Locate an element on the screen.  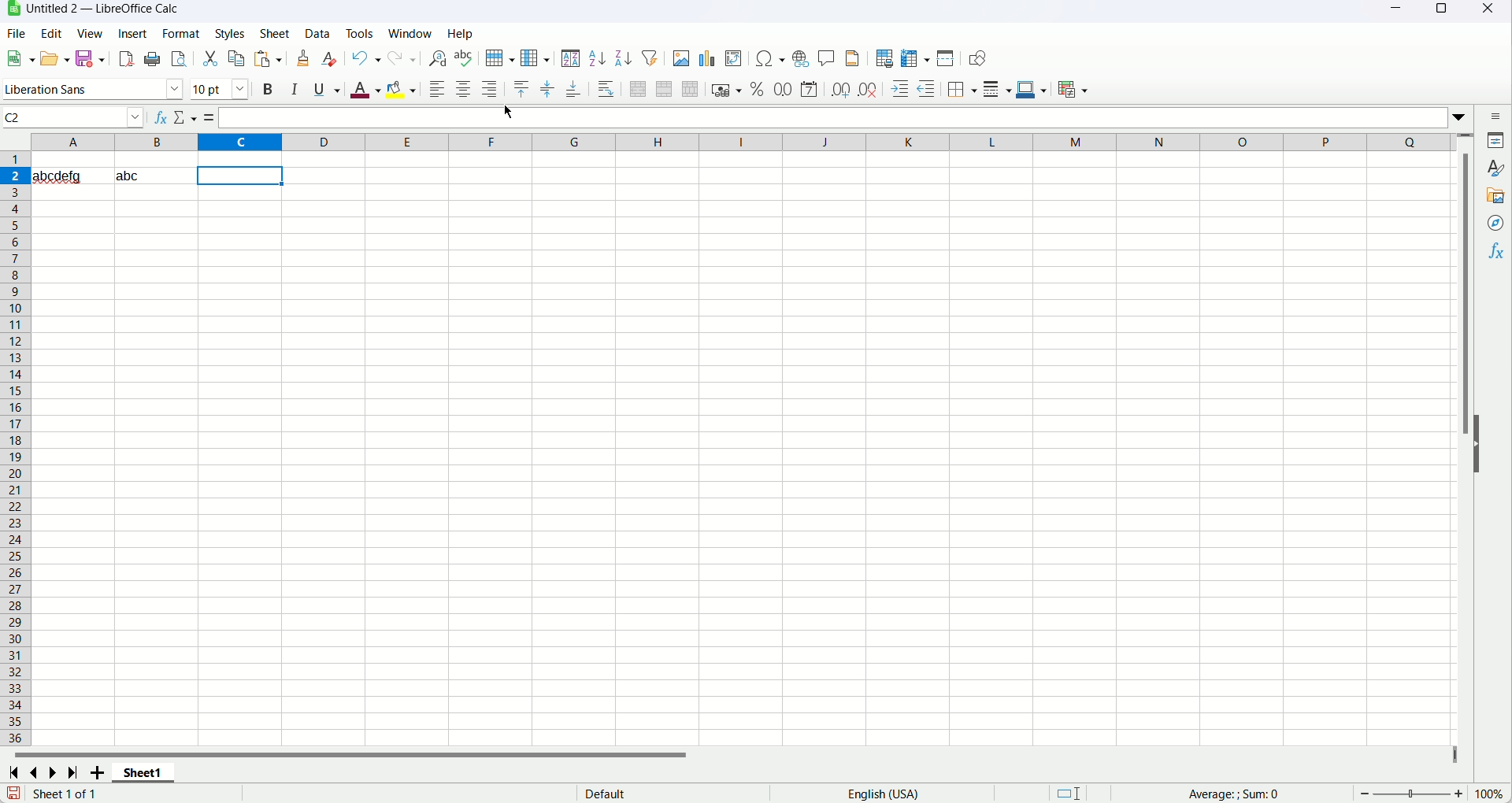
expand formula bar is located at coordinates (1464, 117).